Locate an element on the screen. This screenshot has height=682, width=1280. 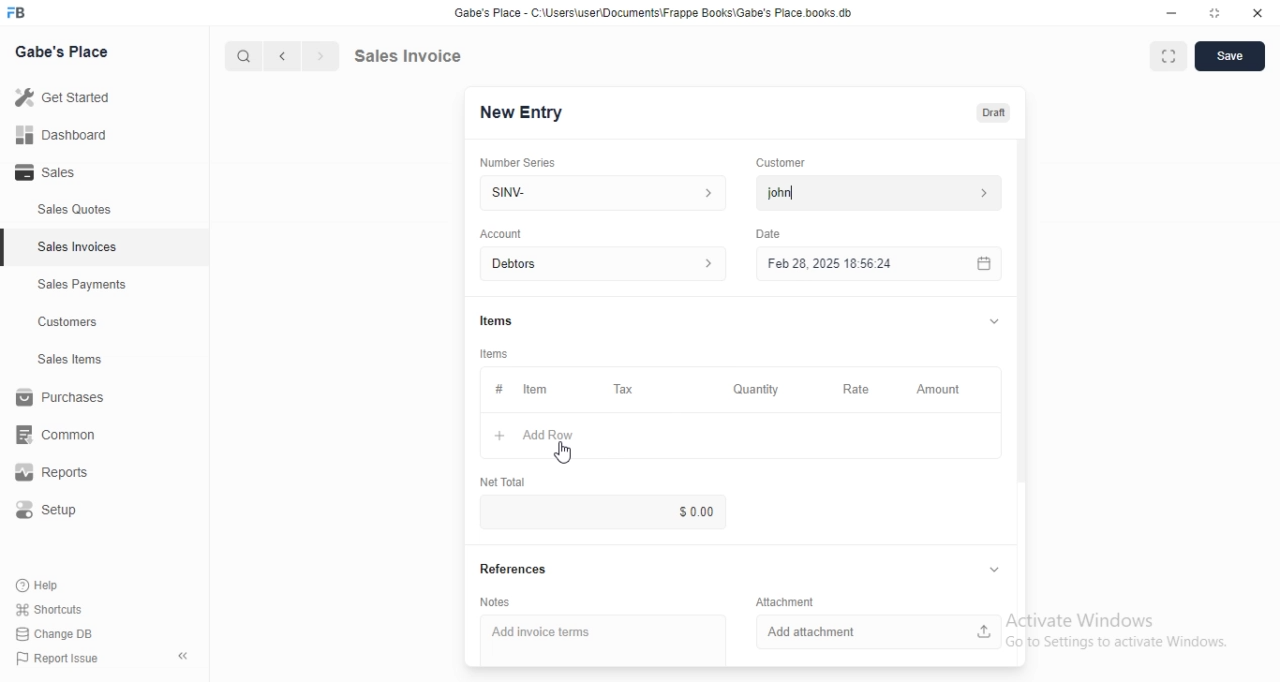
Add invoice terms is located at coordinates (603, 633).